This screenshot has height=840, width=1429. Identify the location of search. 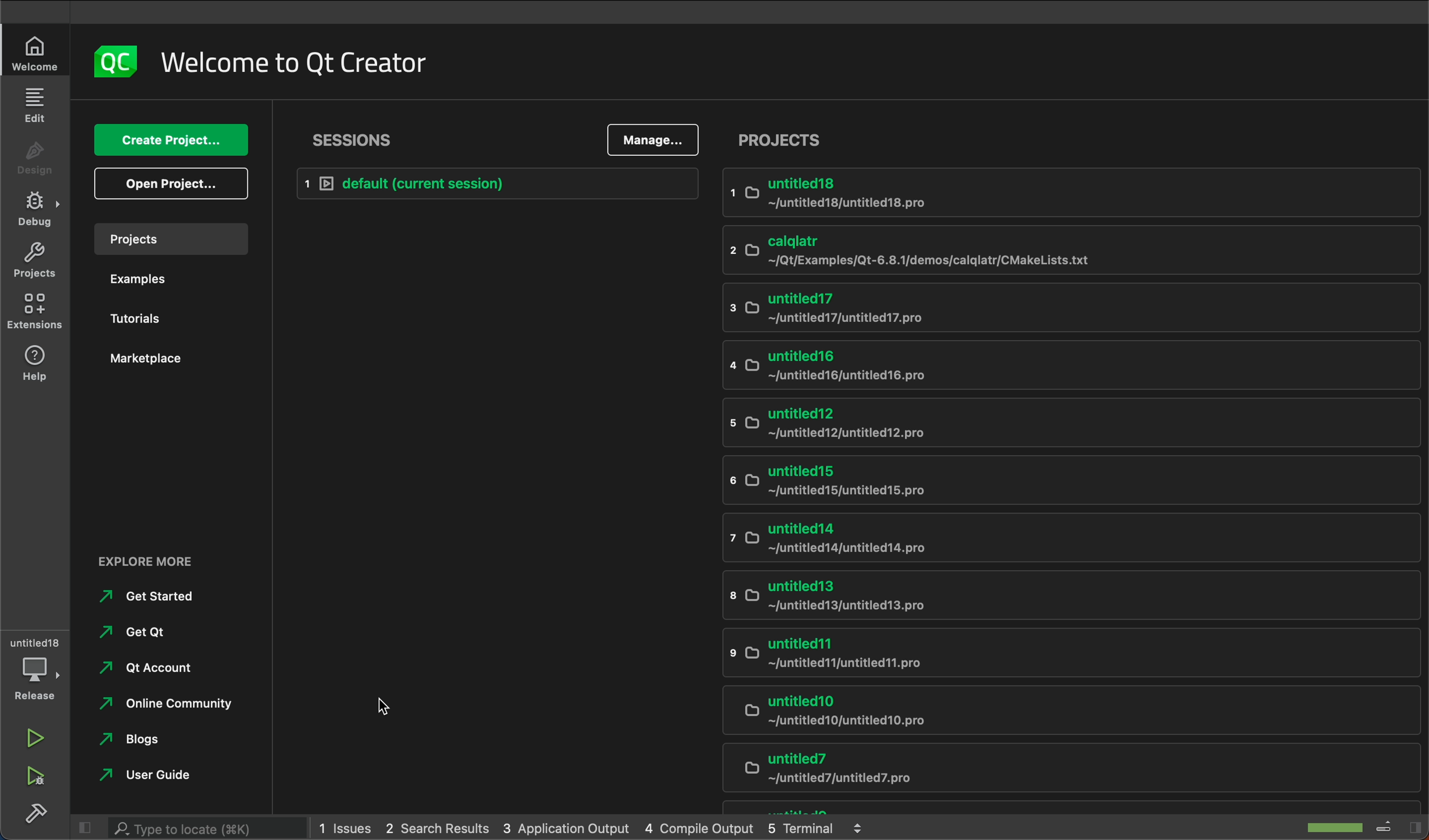
(191, 826).